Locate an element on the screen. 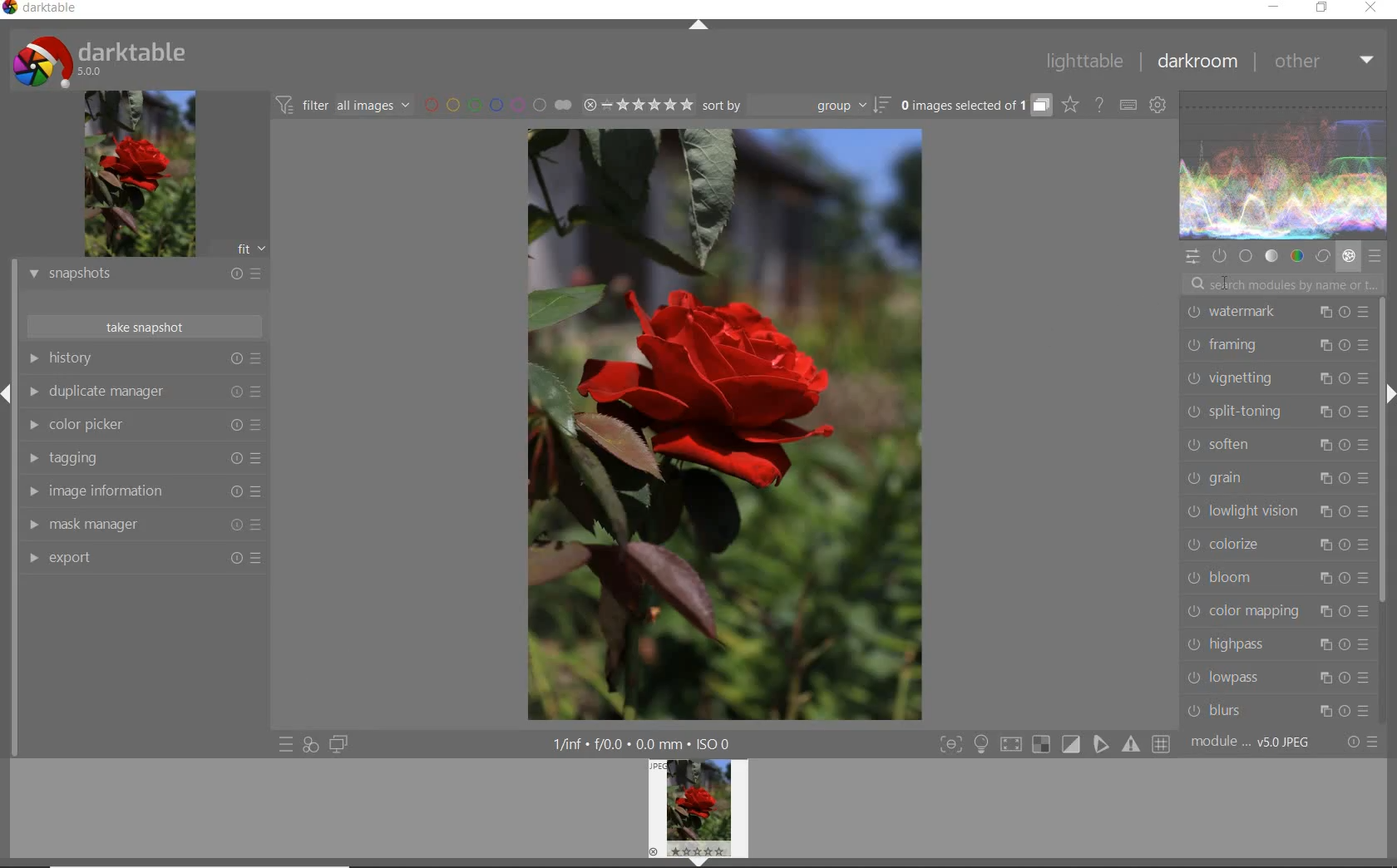 This screenshot has height=868, width=1397. image preview is located at coordinates (698, 813).